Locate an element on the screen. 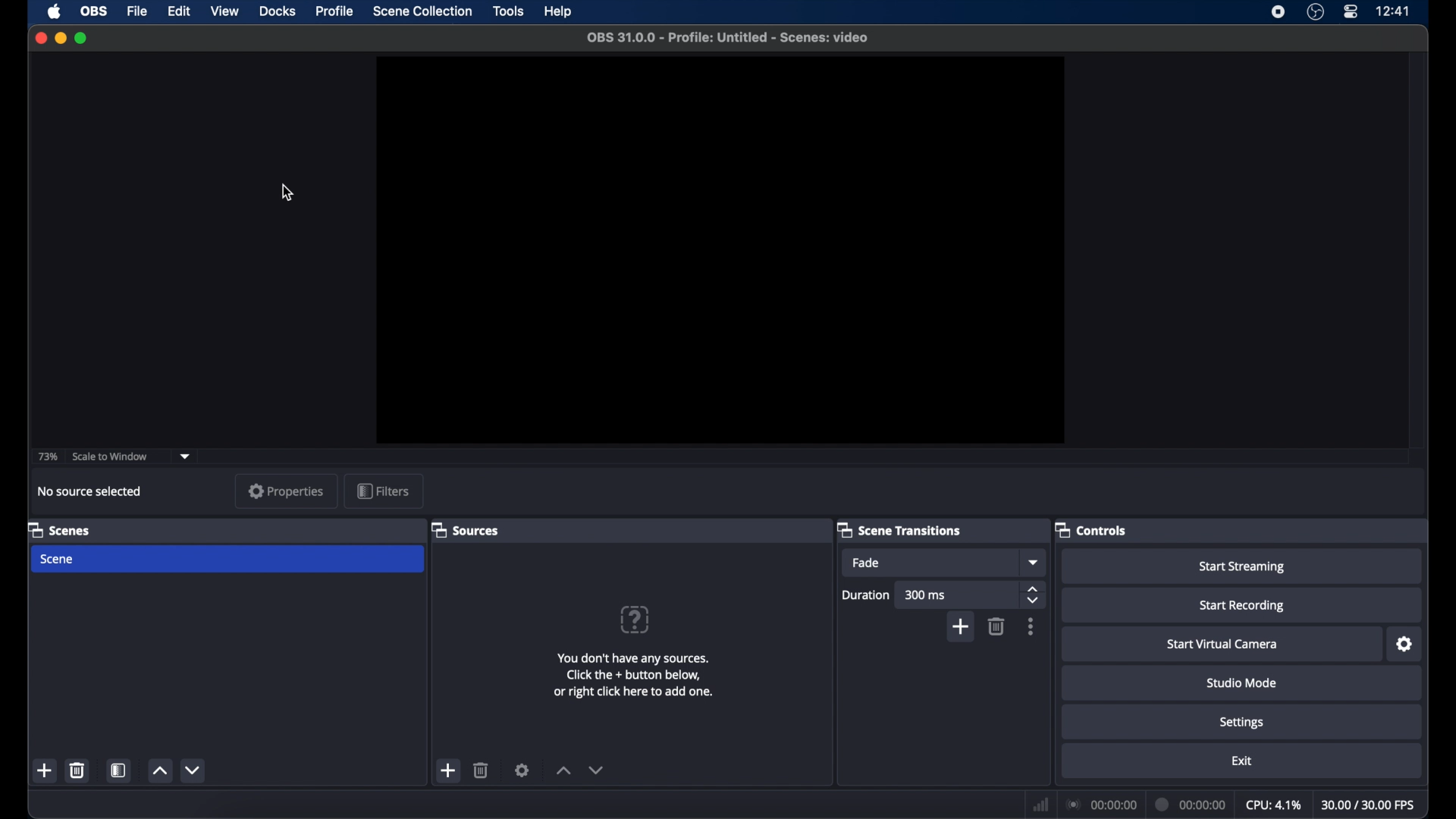 The height and width of the screenshot is (819, 1456). preview is located at coordinates (752, 250).